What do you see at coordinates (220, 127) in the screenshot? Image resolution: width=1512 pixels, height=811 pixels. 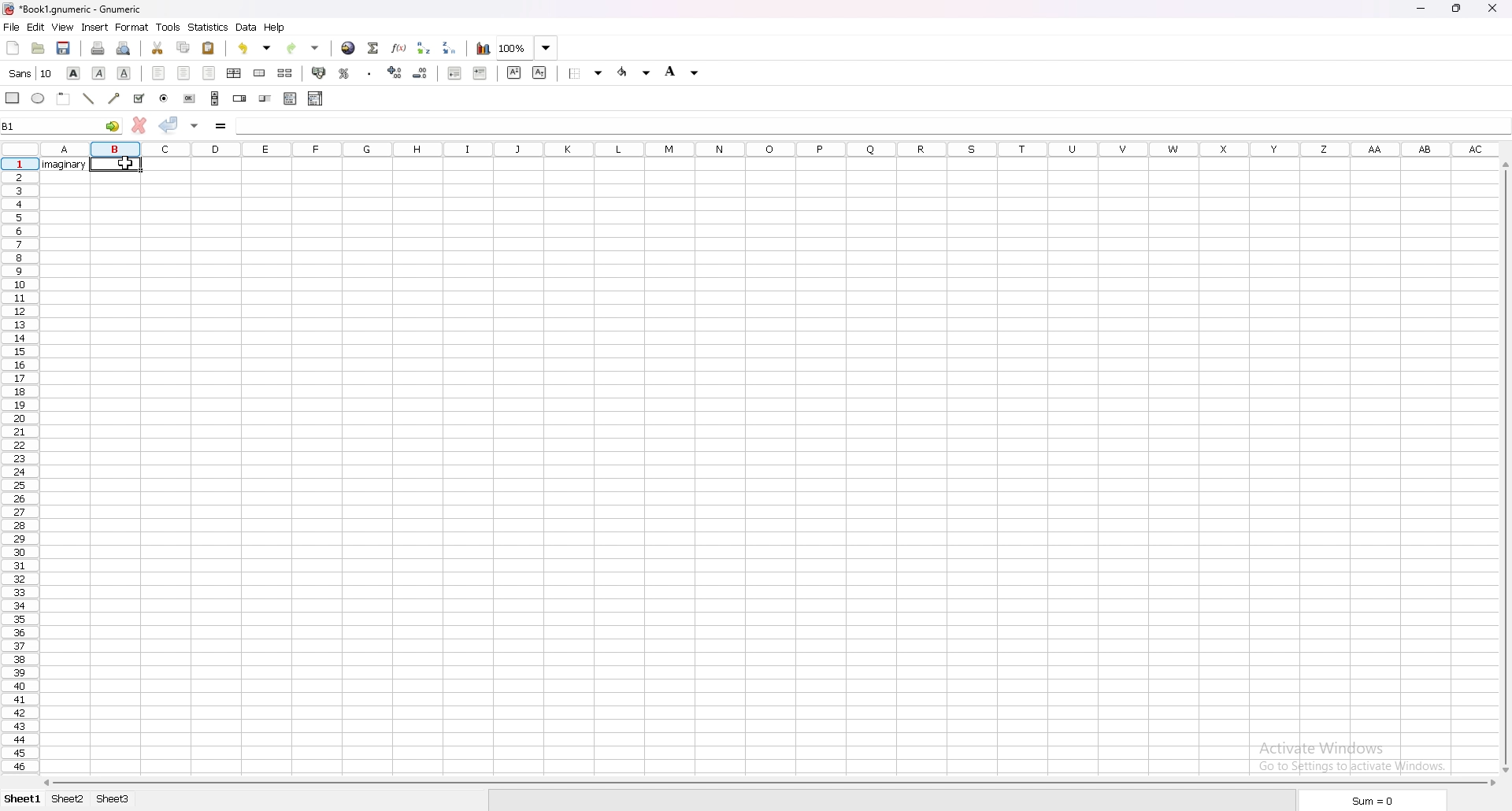 I see `formula` at bounding box center [220, 127].